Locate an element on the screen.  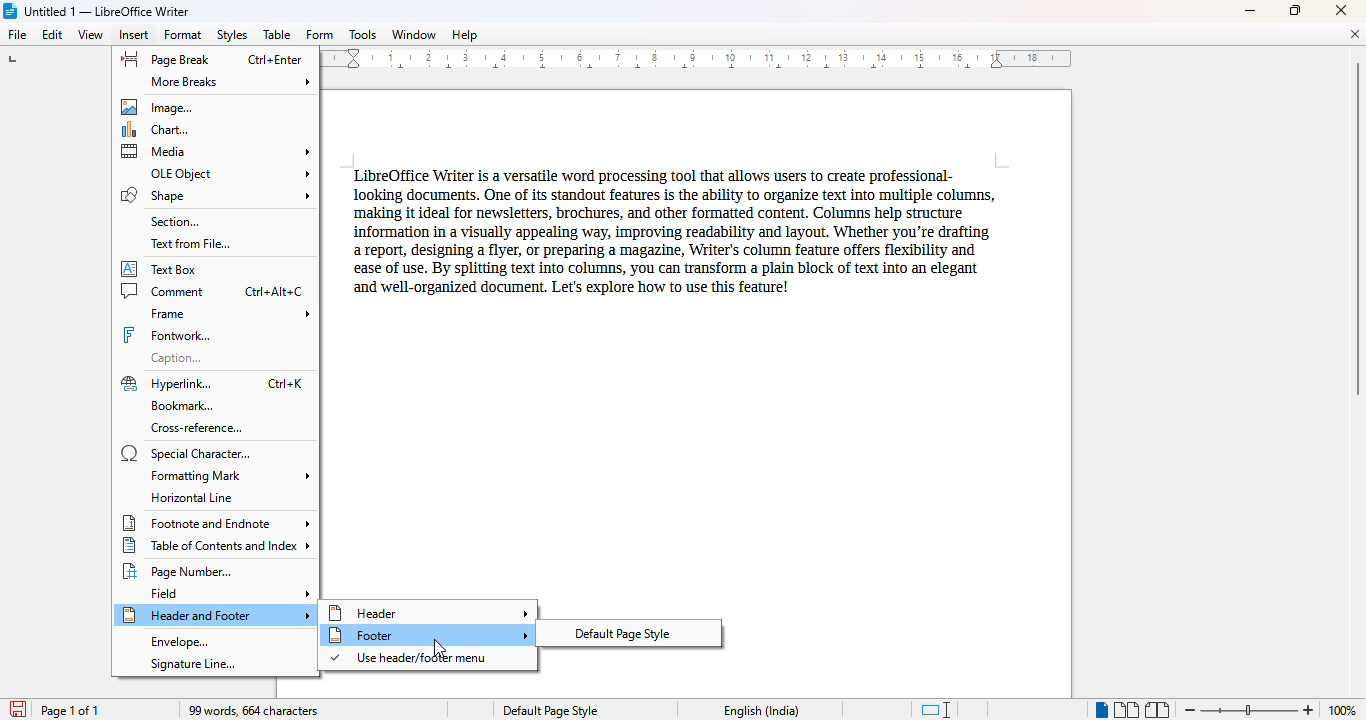
edit is located at coordinates (53, 35).